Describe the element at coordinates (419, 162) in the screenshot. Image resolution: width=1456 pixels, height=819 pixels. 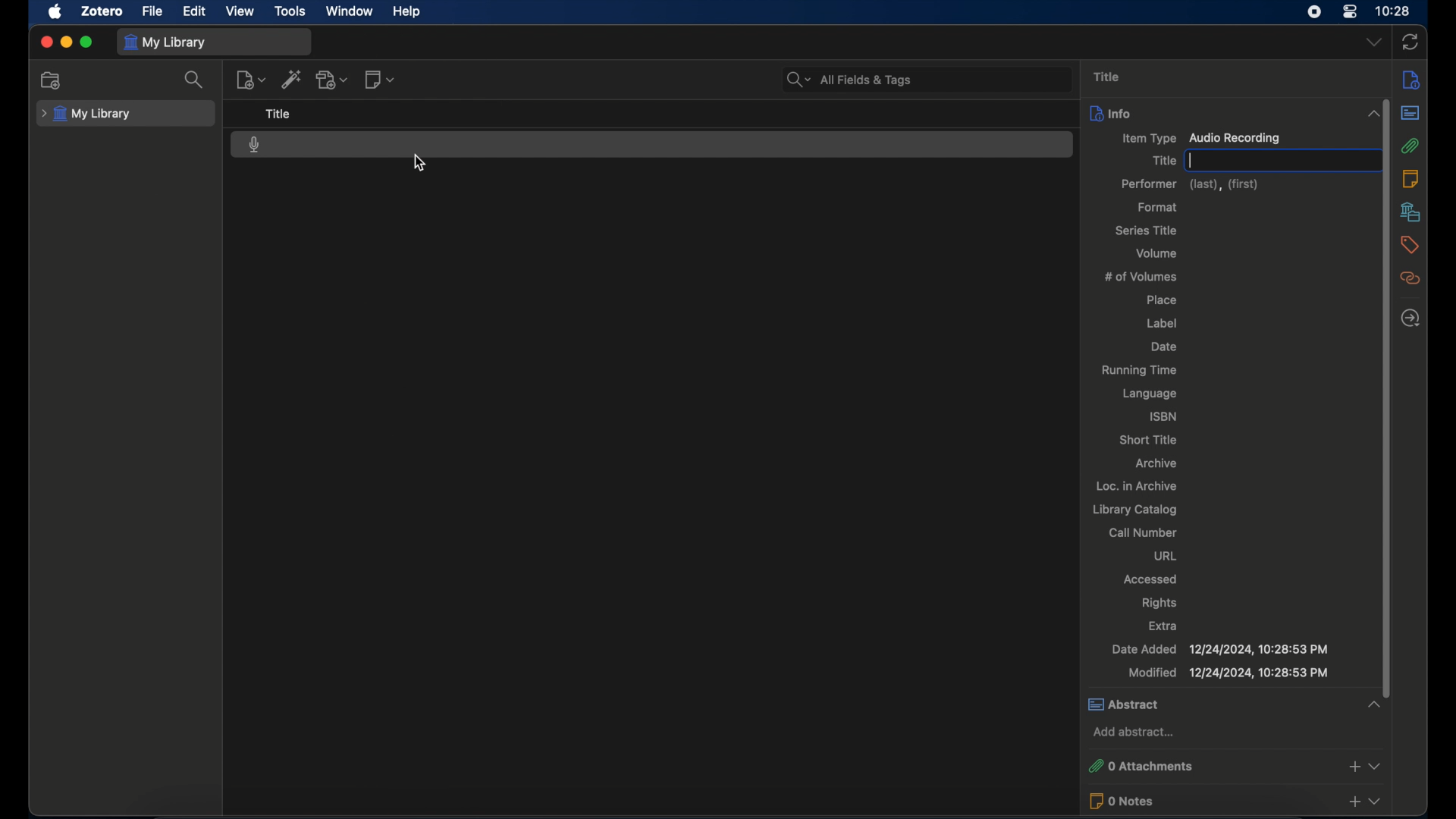
I see `cursor` at that location.